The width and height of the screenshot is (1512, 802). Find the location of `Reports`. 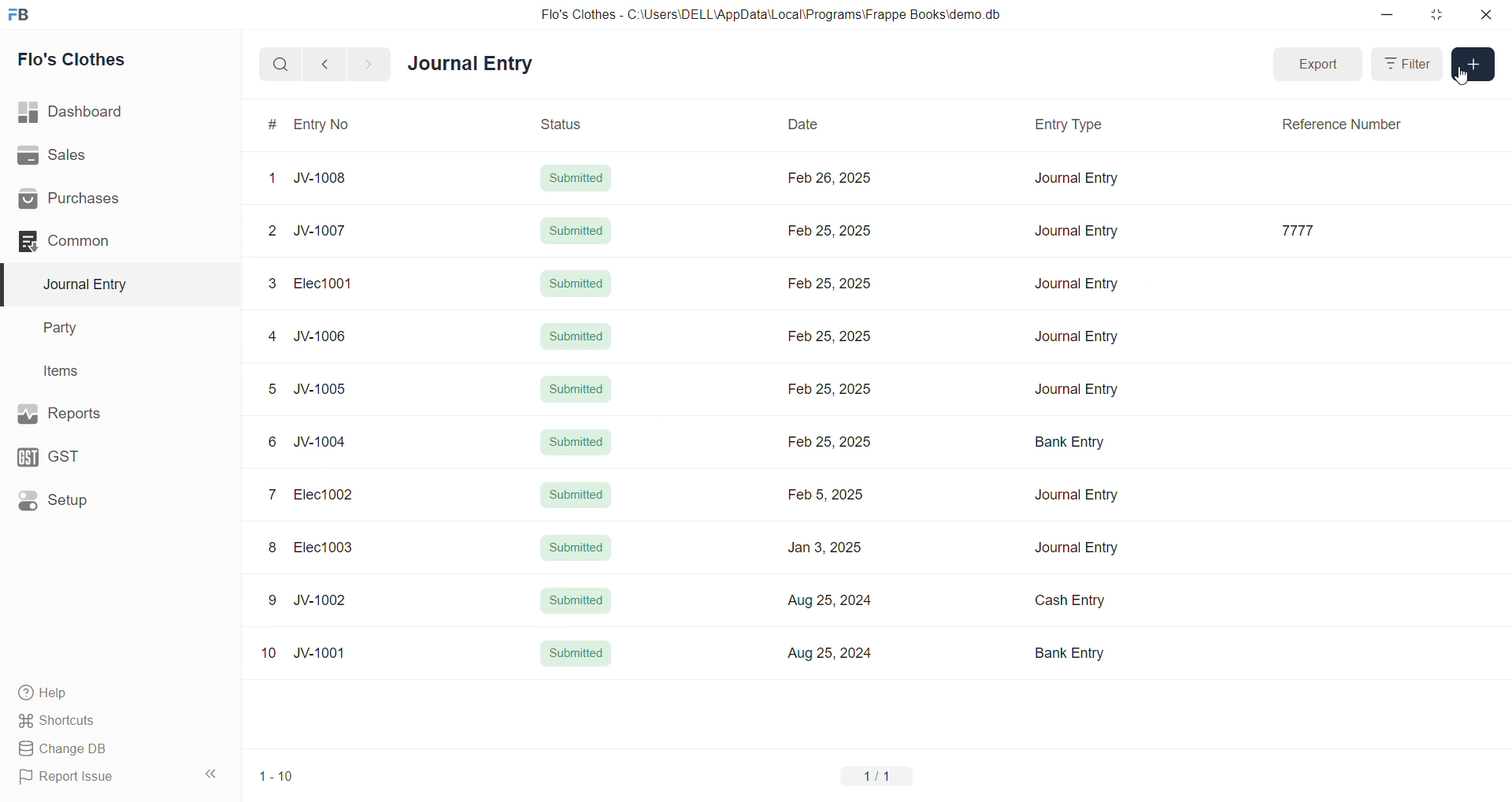

Reports is located at coordinates (93, 414).